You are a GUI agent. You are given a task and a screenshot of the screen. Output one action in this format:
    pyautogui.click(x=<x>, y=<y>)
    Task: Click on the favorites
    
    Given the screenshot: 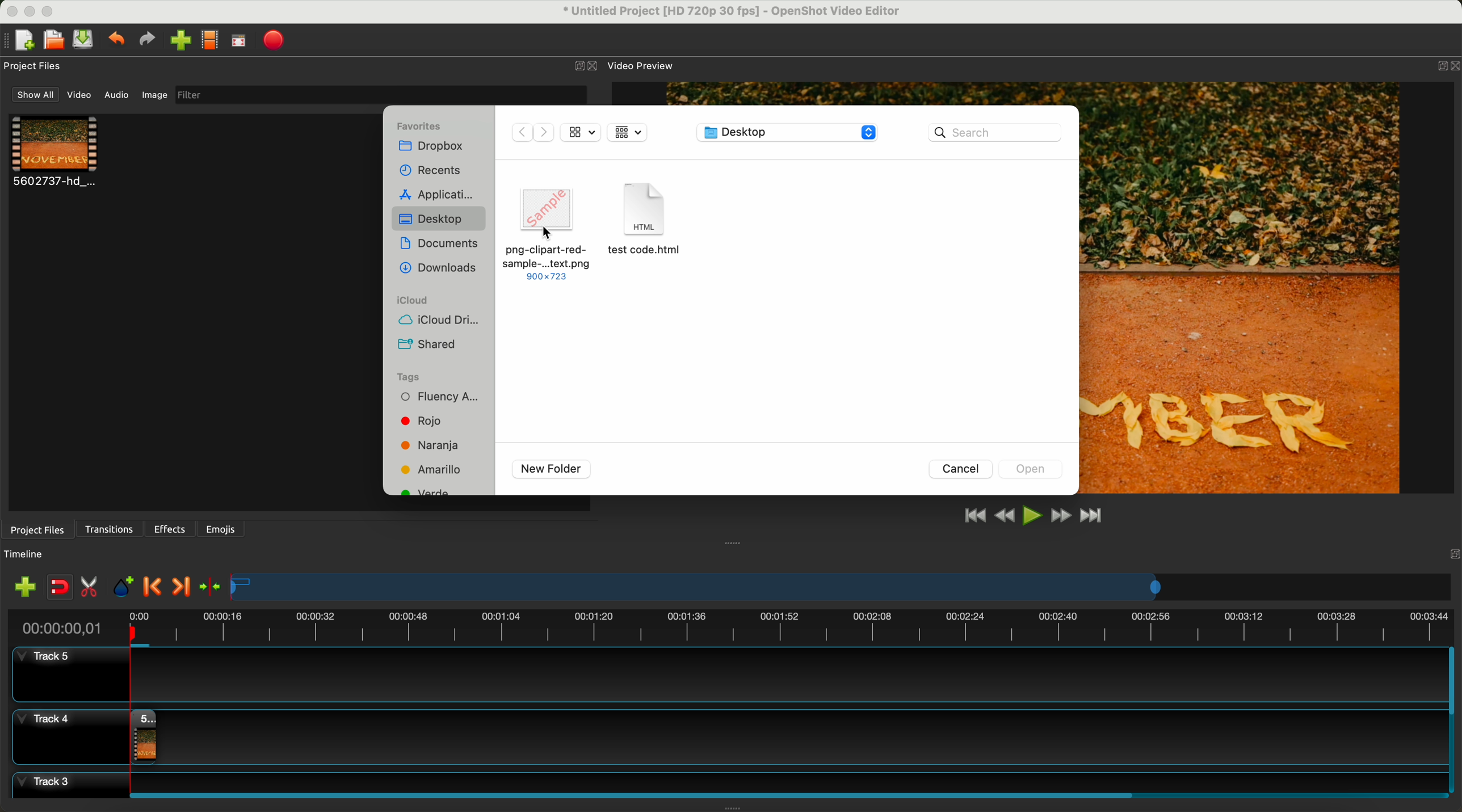 What is the action you would take?
    pyautogui.click(x=422, y=124)
    